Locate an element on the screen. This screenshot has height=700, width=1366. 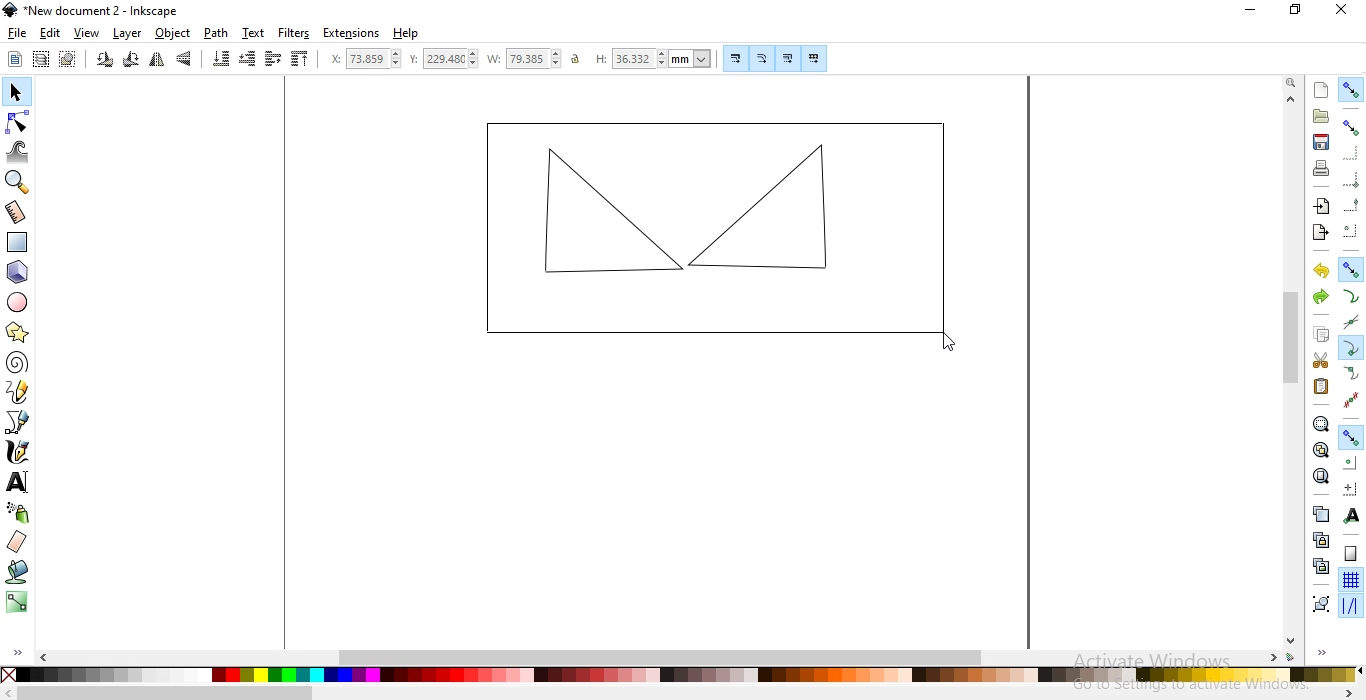
create circles, arcs and ellipses is located at coordinates (19, 304).